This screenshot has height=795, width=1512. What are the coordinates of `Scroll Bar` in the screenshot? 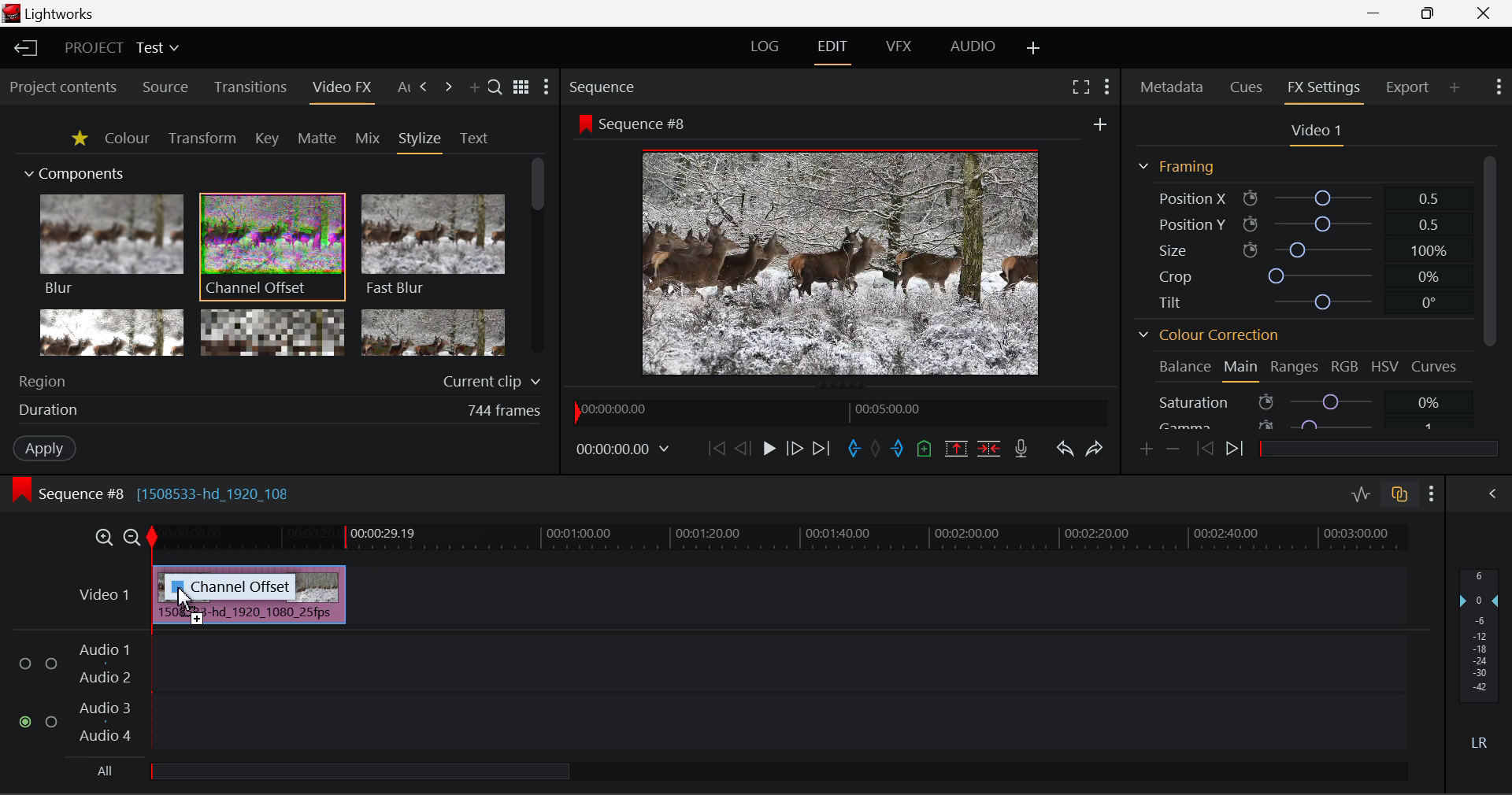 It's located at (1489, 294).